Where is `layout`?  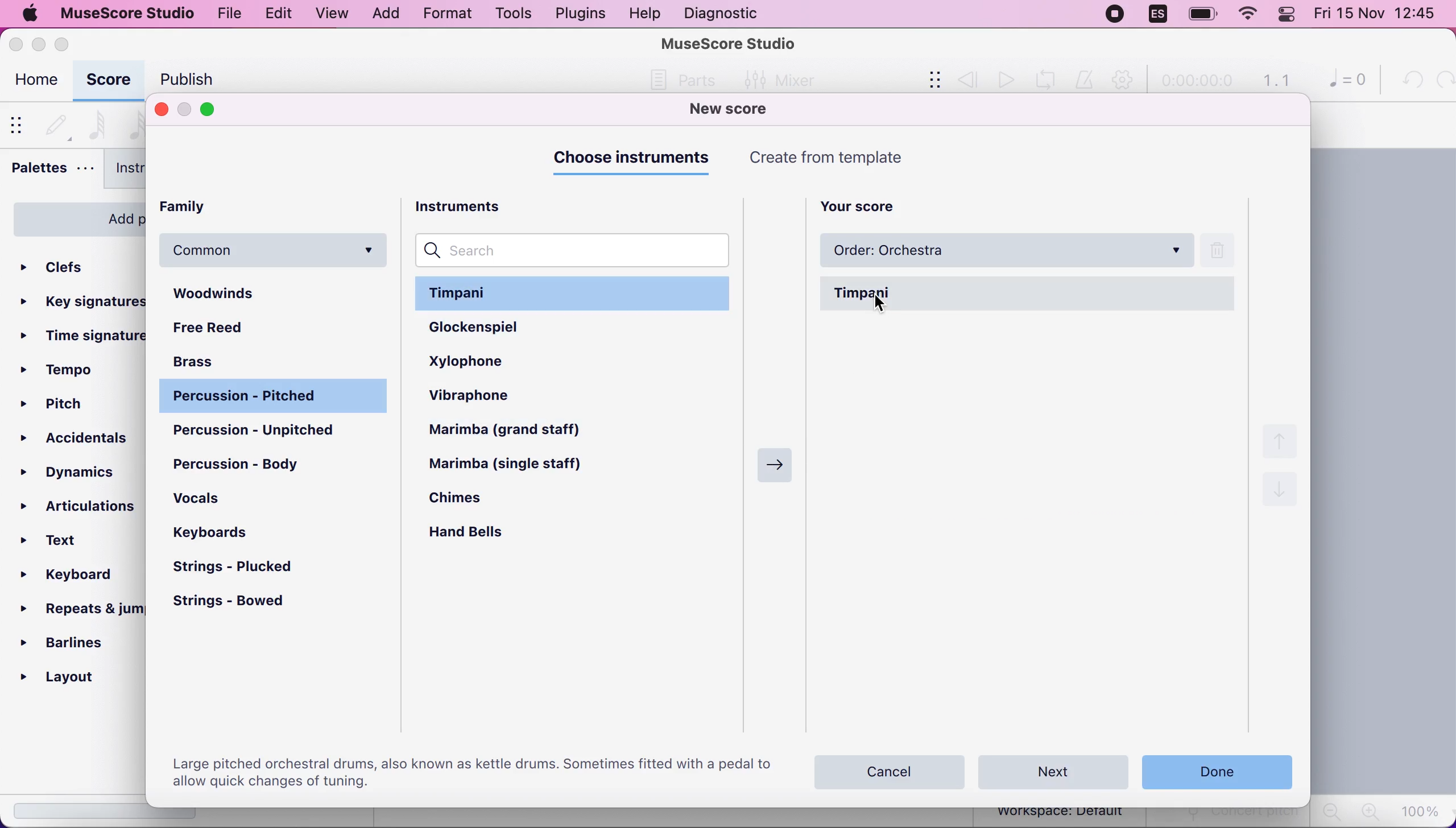 layout is located at coordinates (76, 677).